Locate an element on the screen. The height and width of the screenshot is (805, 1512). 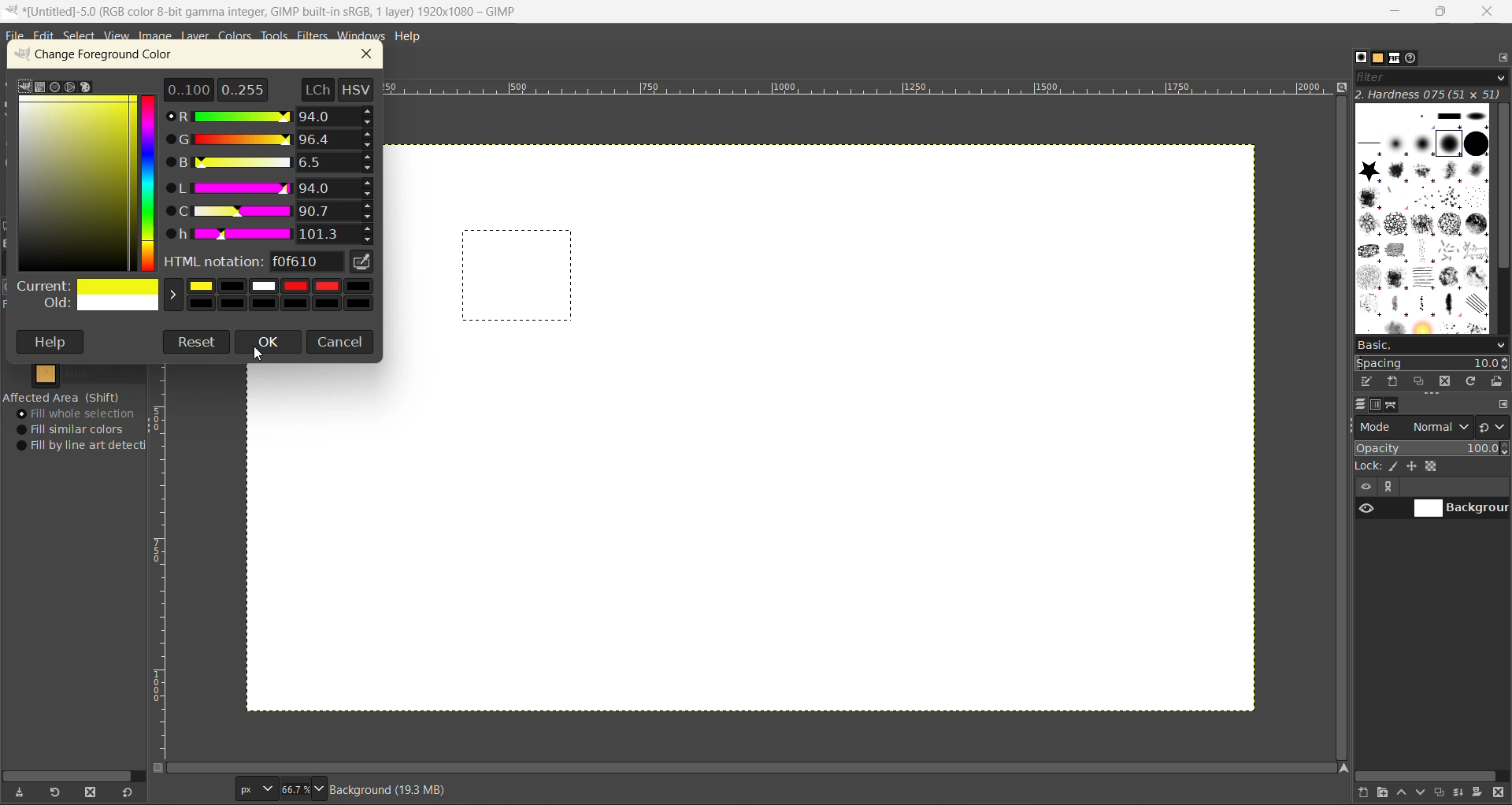
merge this layer is located at coordinates (1463, 792).